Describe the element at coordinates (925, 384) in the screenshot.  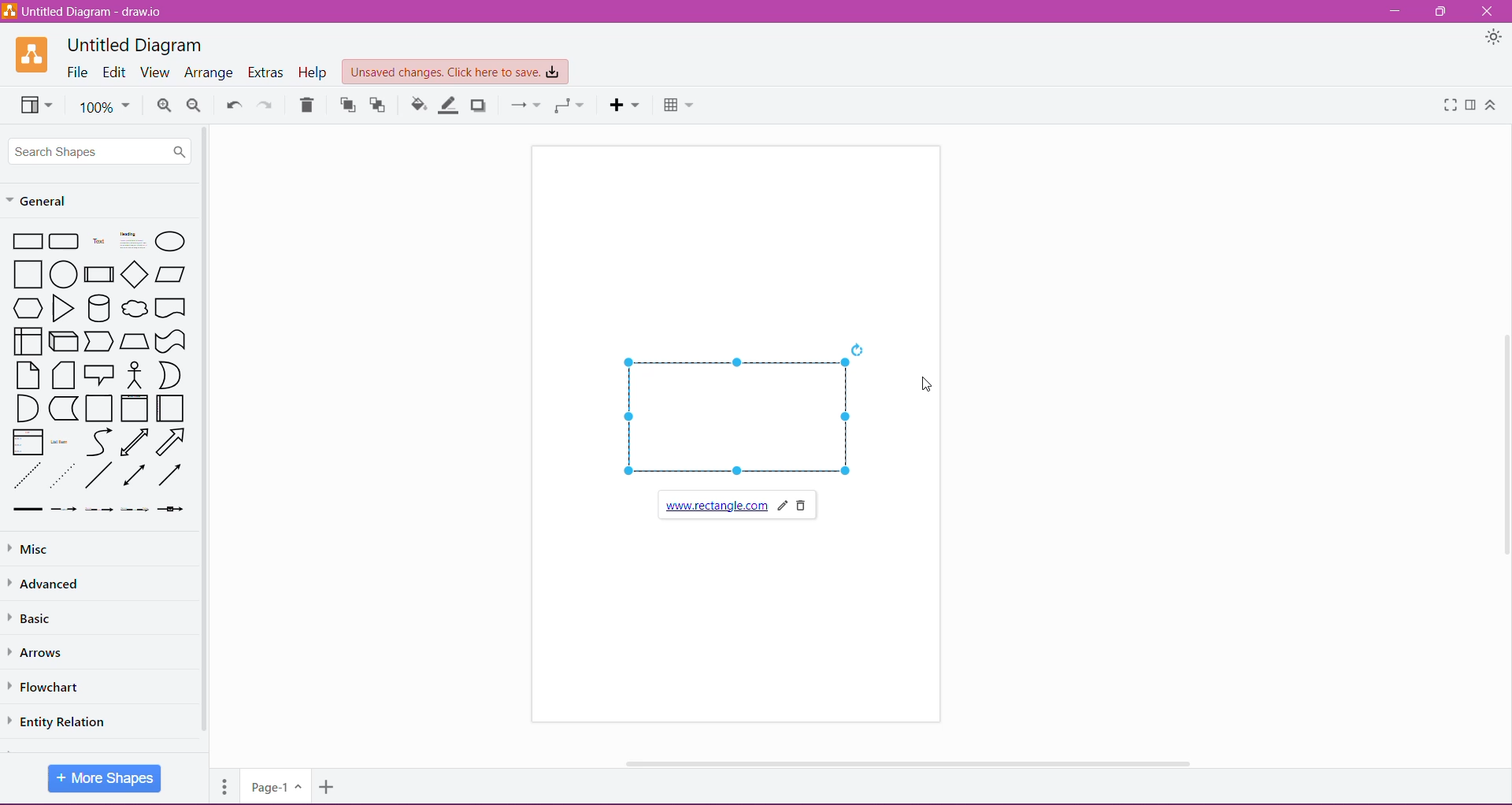
I see `Cursor` at that location.